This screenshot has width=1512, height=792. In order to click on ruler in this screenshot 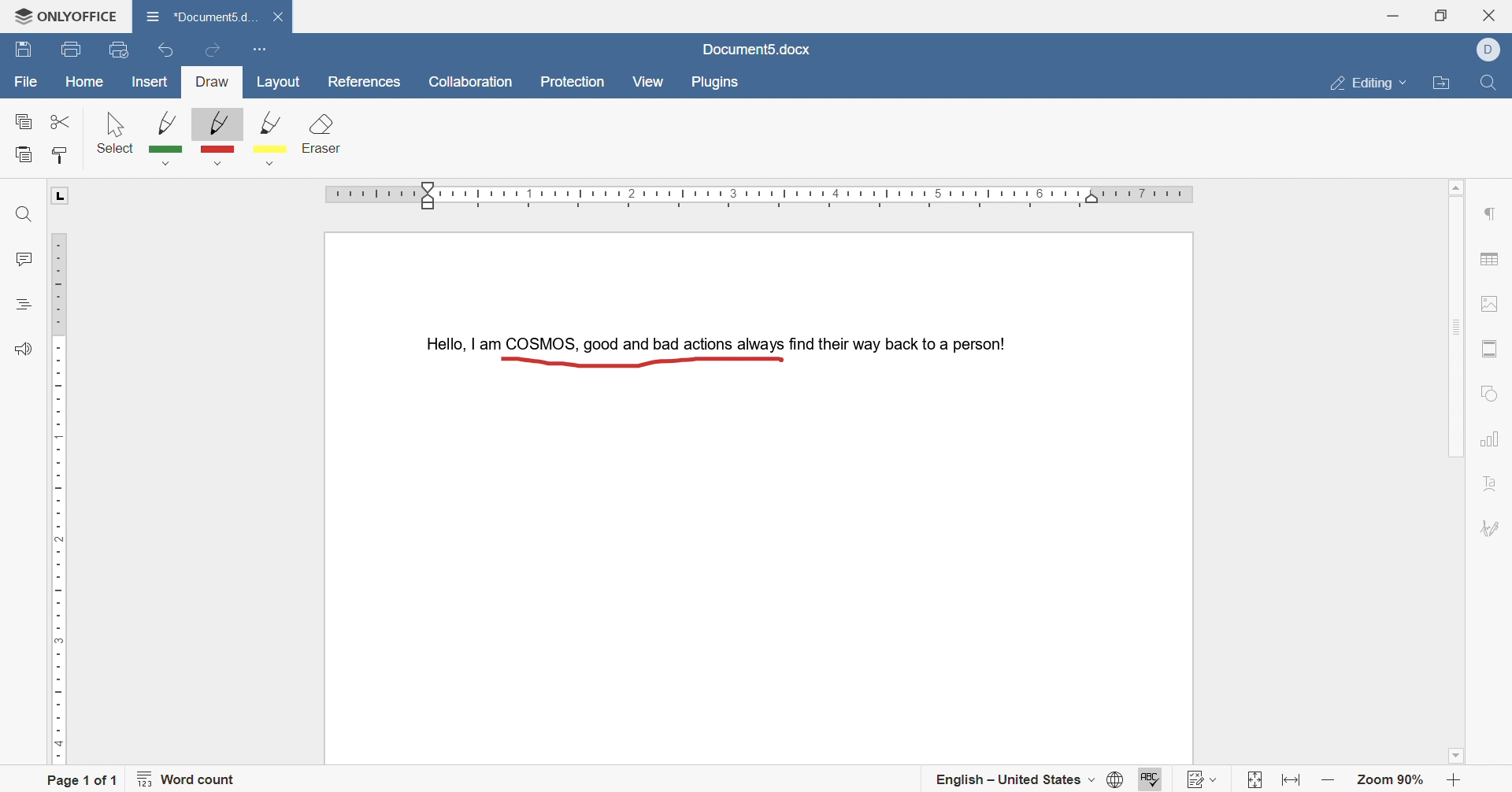, I will do `click(764, 196)`.